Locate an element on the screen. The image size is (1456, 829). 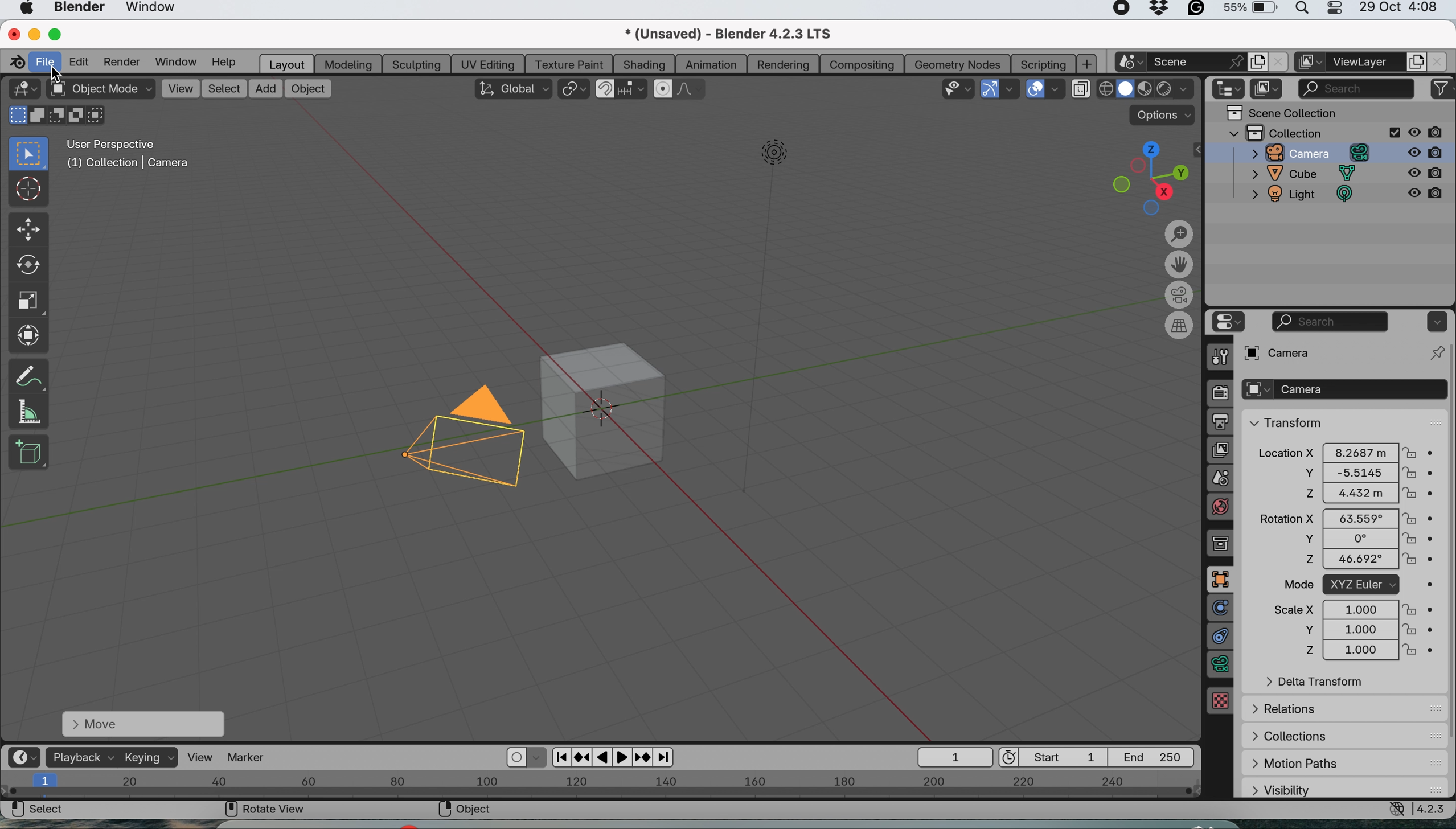
collapse is located at coordinates (1198, 150).